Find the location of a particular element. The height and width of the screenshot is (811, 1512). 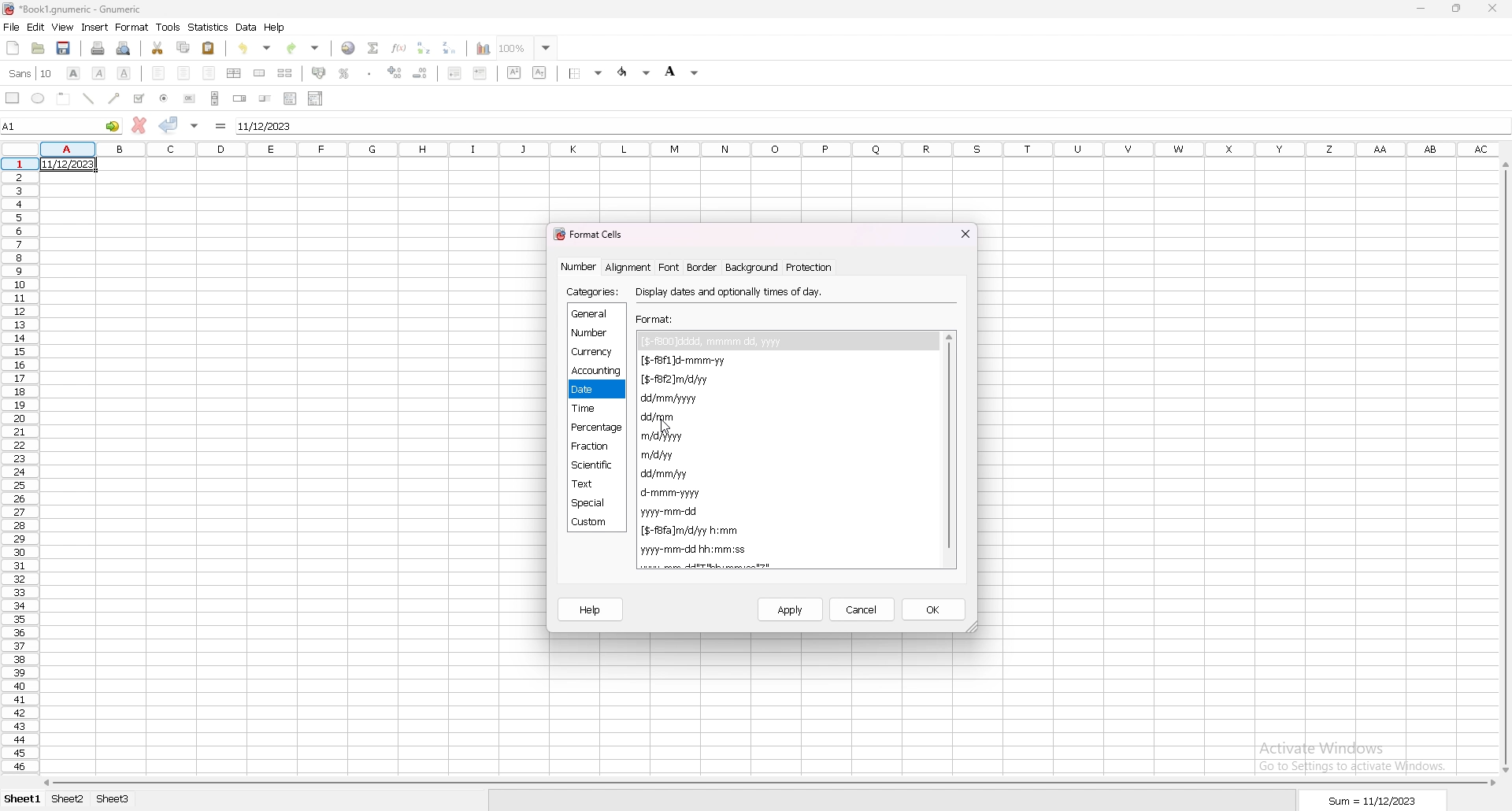

copy is located at coordinates (185, 46).